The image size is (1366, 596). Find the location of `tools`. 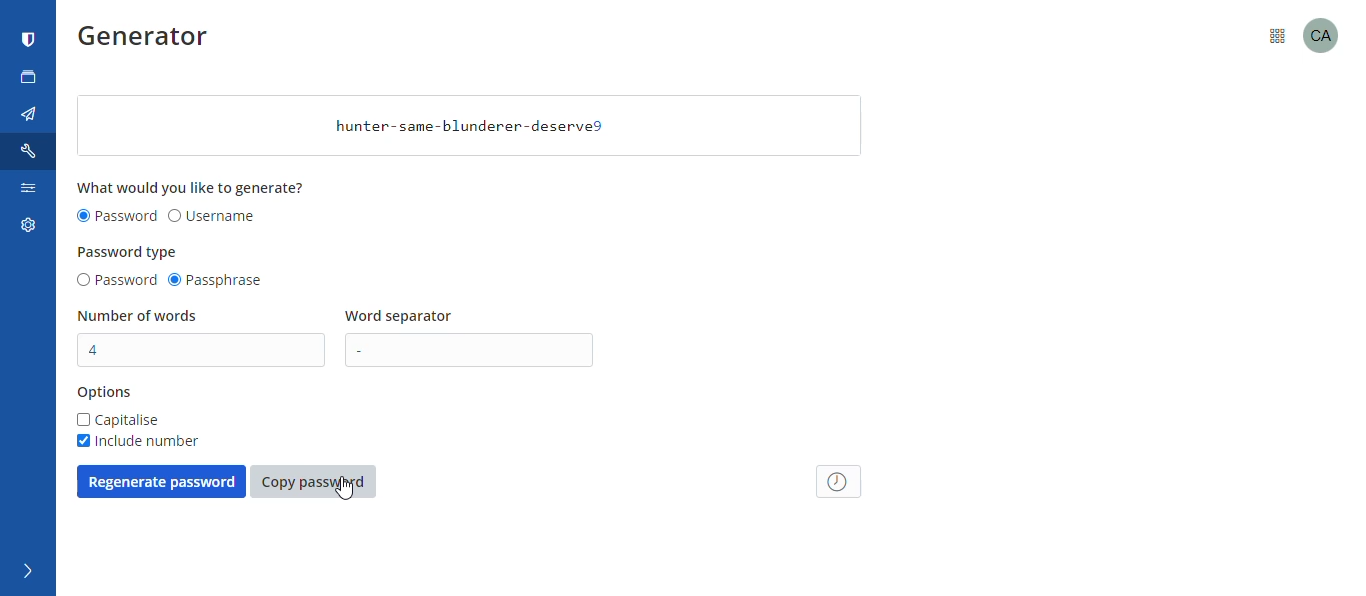

tools is located at coordinates (31, 151).